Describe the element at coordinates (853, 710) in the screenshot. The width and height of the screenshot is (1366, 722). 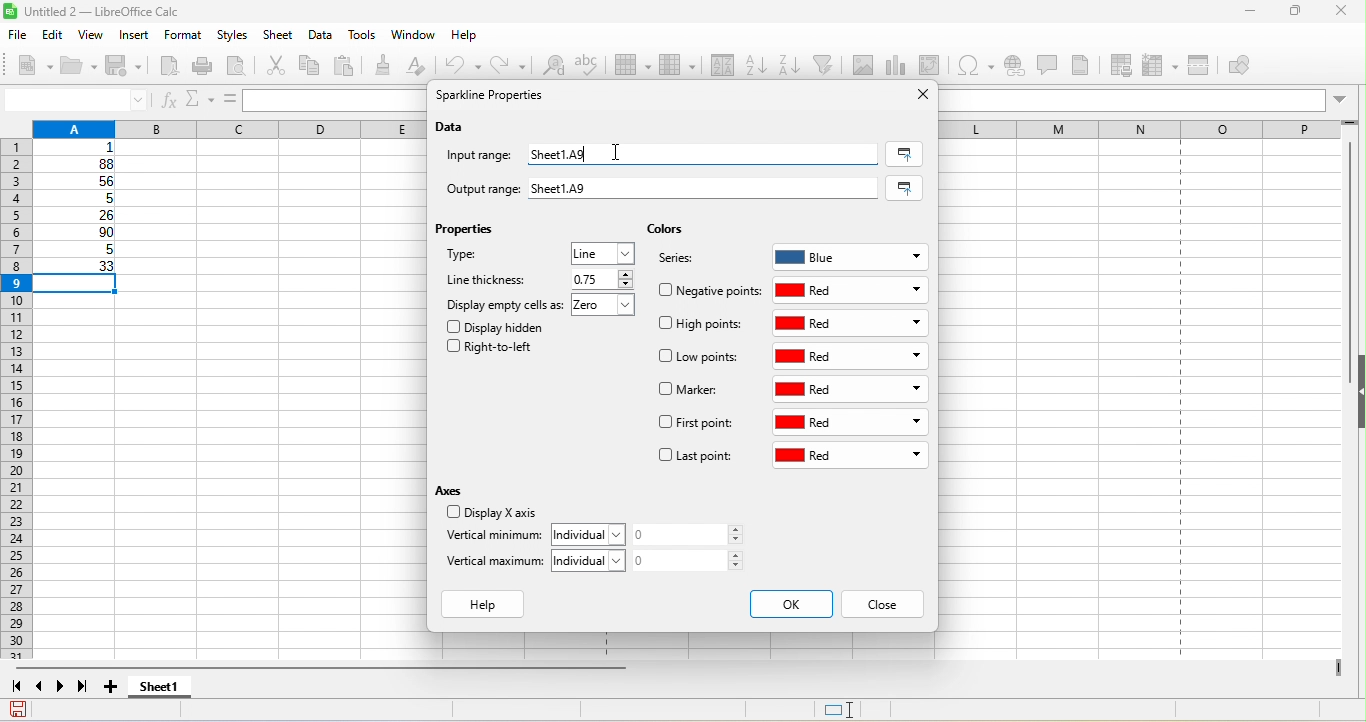
I see `standard selection` at that location.